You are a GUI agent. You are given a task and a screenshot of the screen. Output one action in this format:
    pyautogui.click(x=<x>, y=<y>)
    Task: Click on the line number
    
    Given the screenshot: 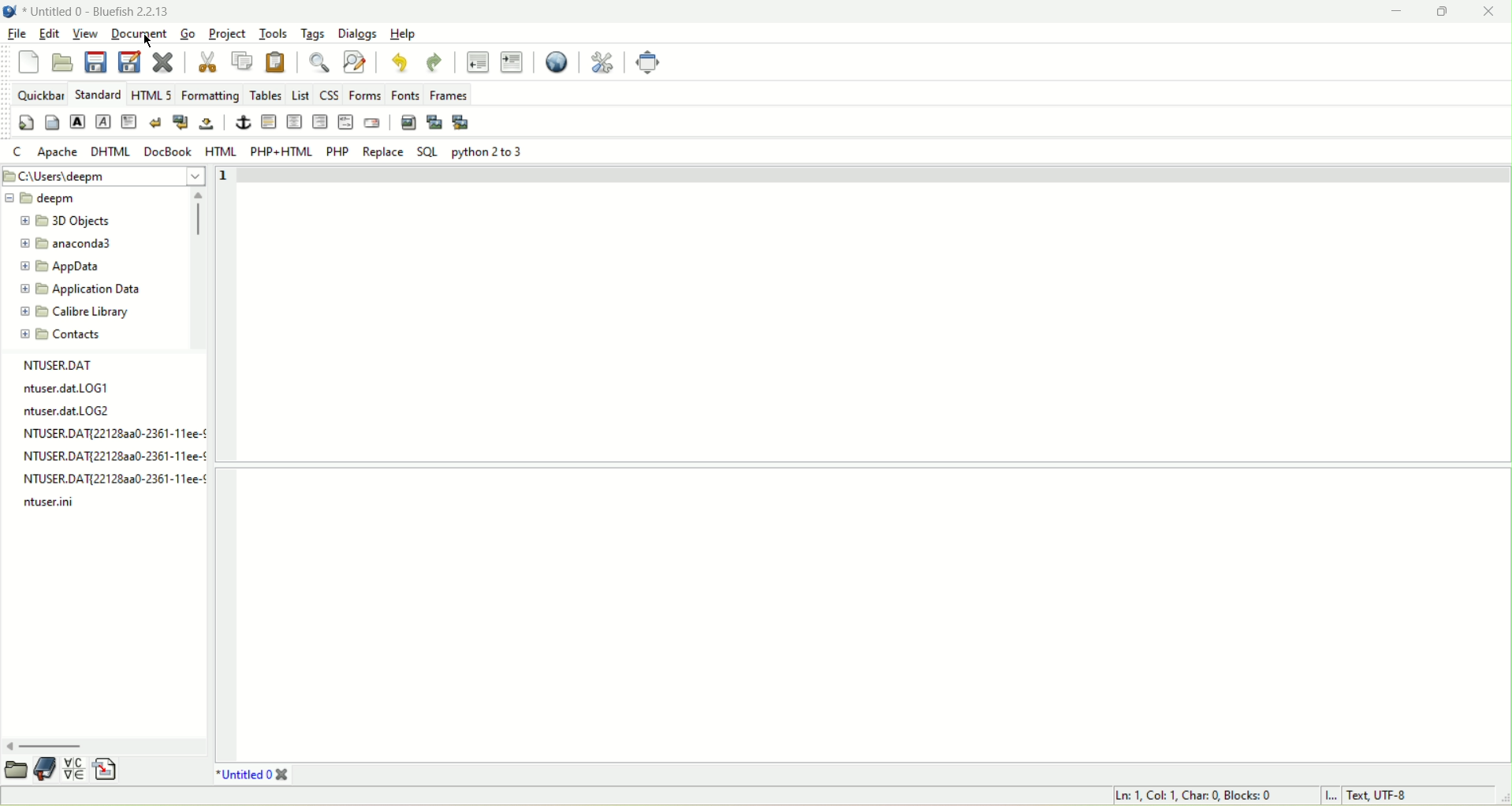 What is the action you would take?
    pyautogui.click(x=224, y=461)
    